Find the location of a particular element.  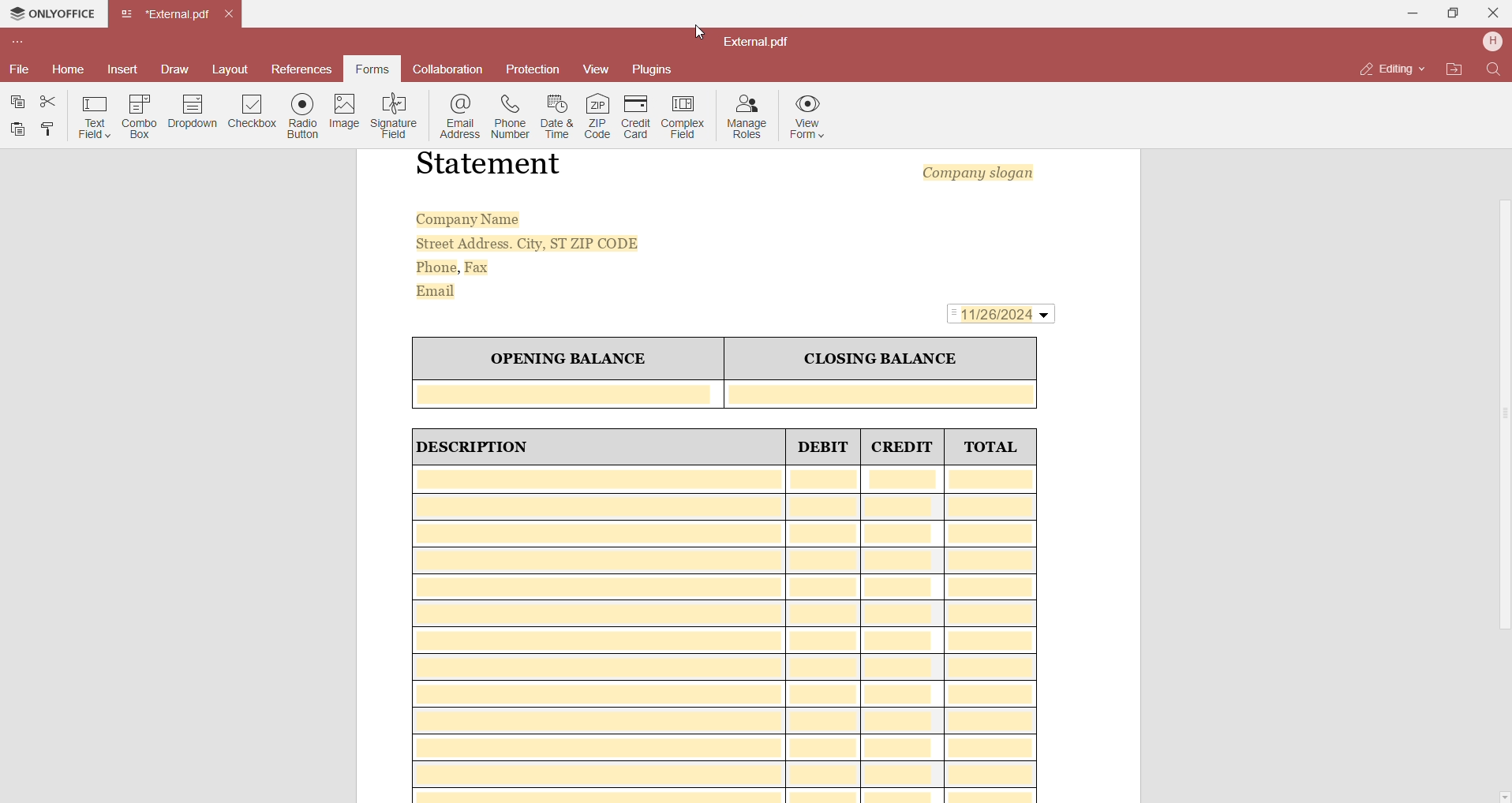

Cut is located at coordinates (47, 99).